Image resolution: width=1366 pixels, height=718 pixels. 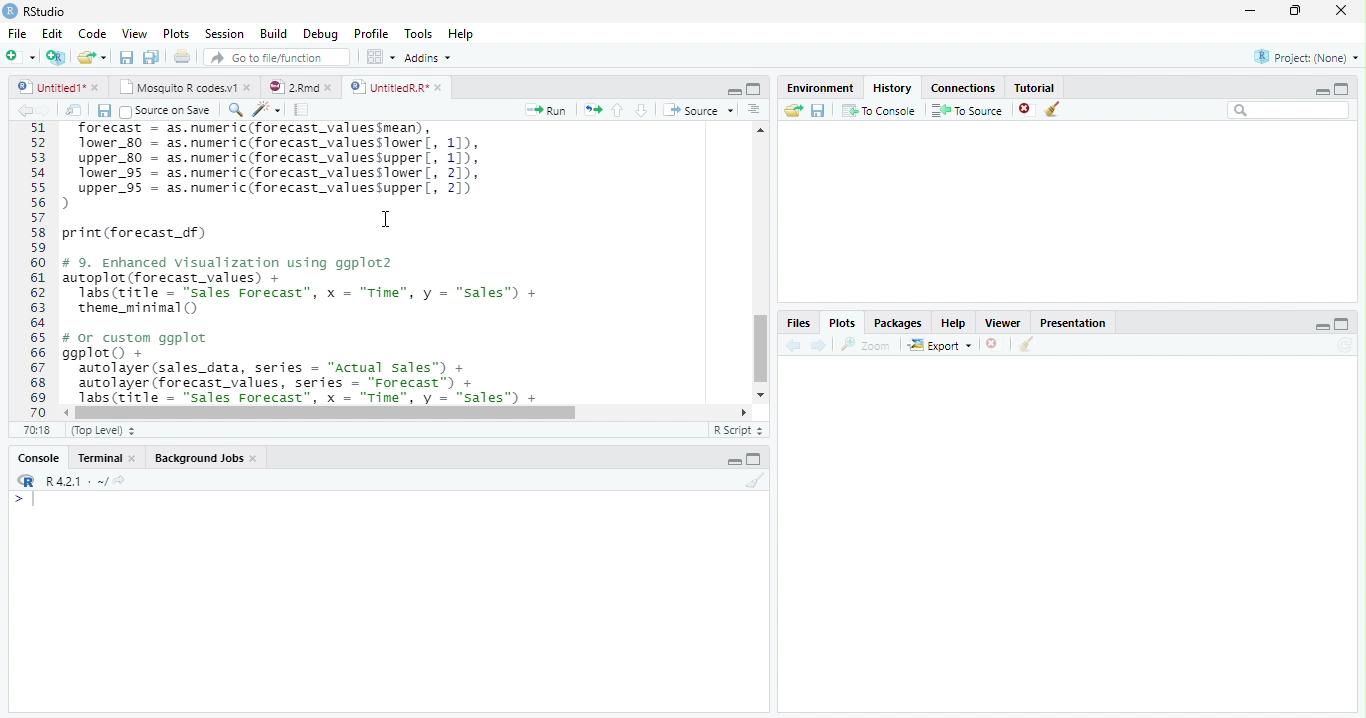 What do you see at coordinates (940, 345) in the screenshot?
I see `Export` at bounding box center [940, 345].